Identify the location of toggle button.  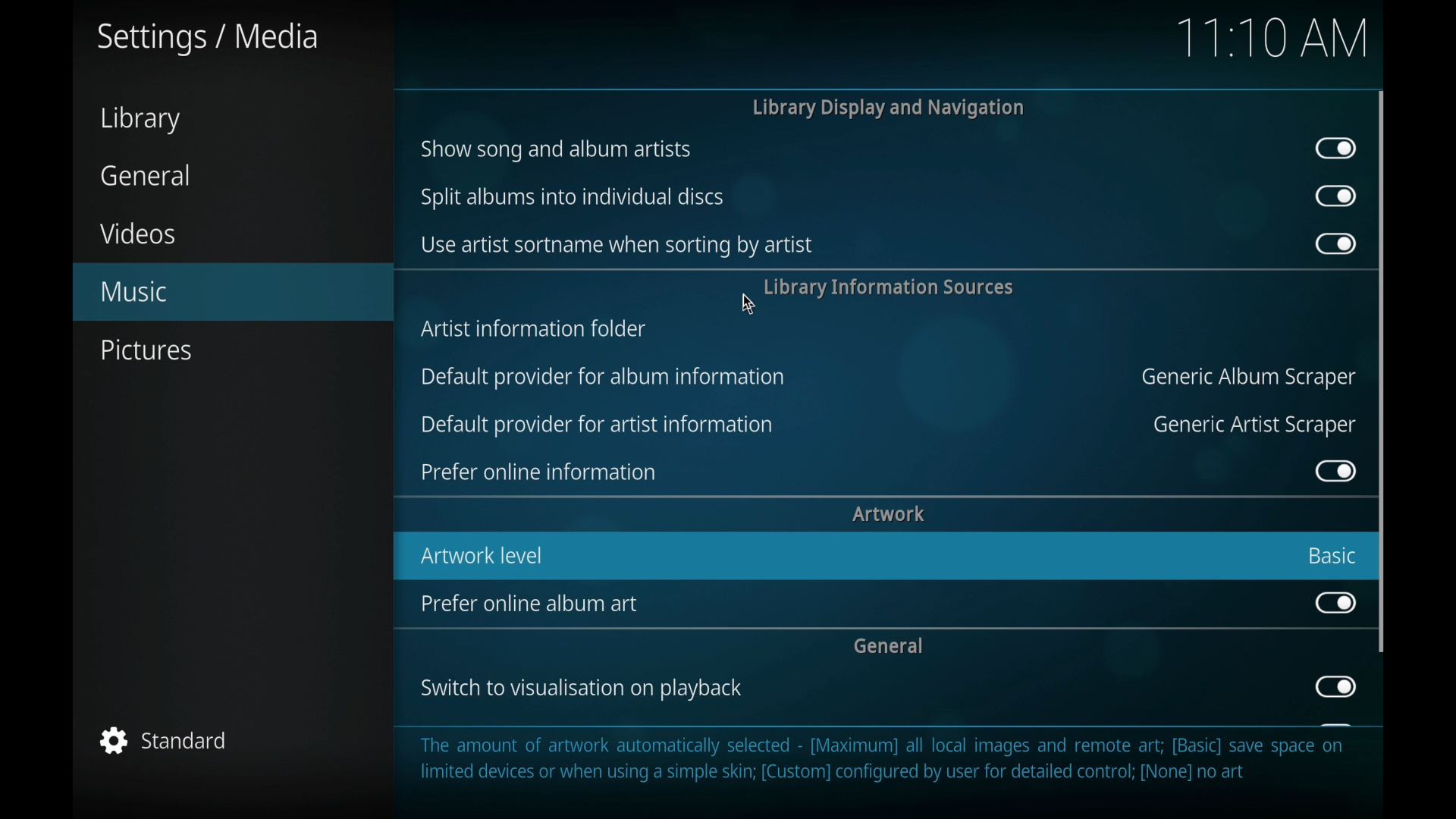
(1335, 196).